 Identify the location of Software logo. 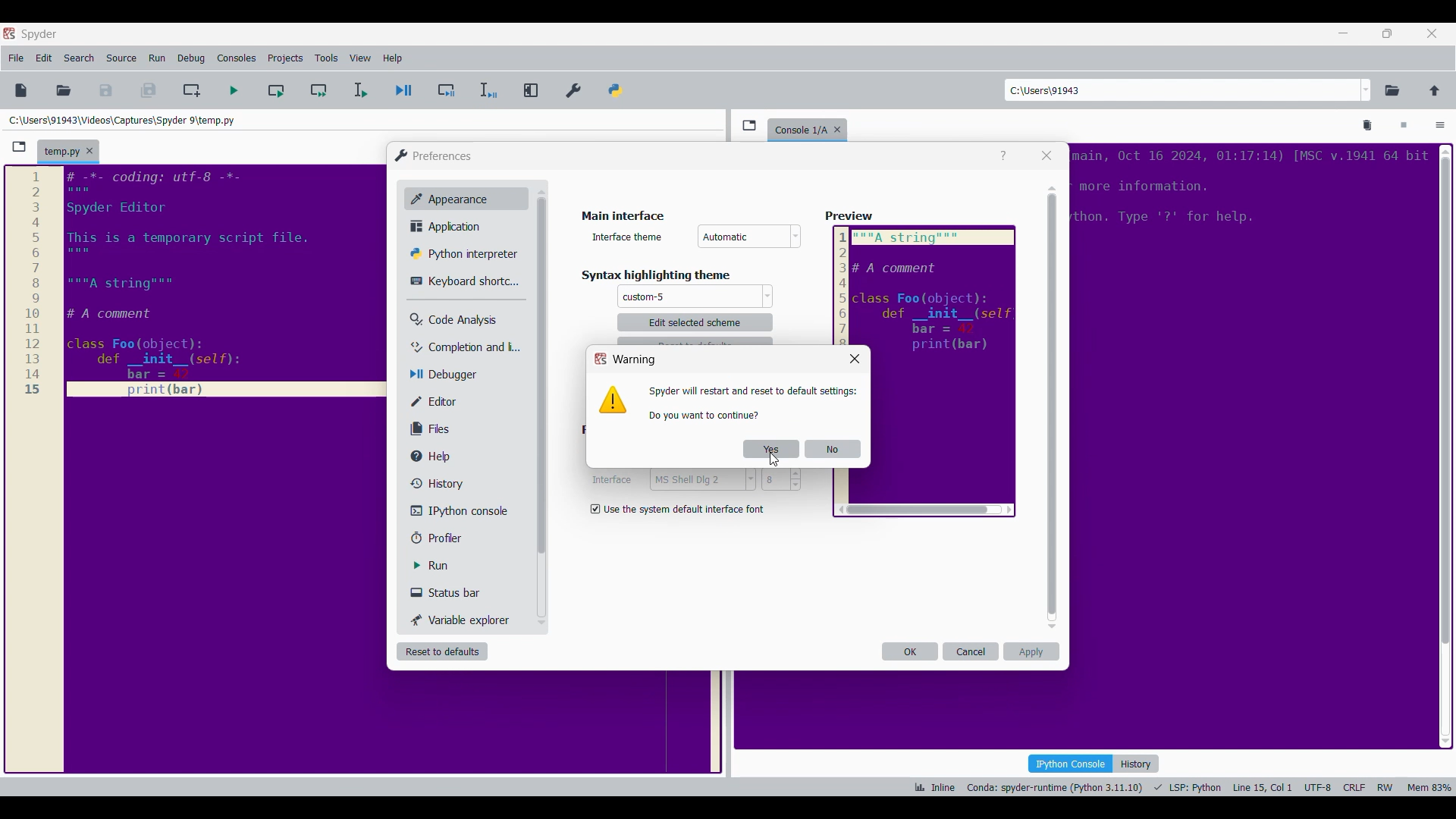
(10, 33).